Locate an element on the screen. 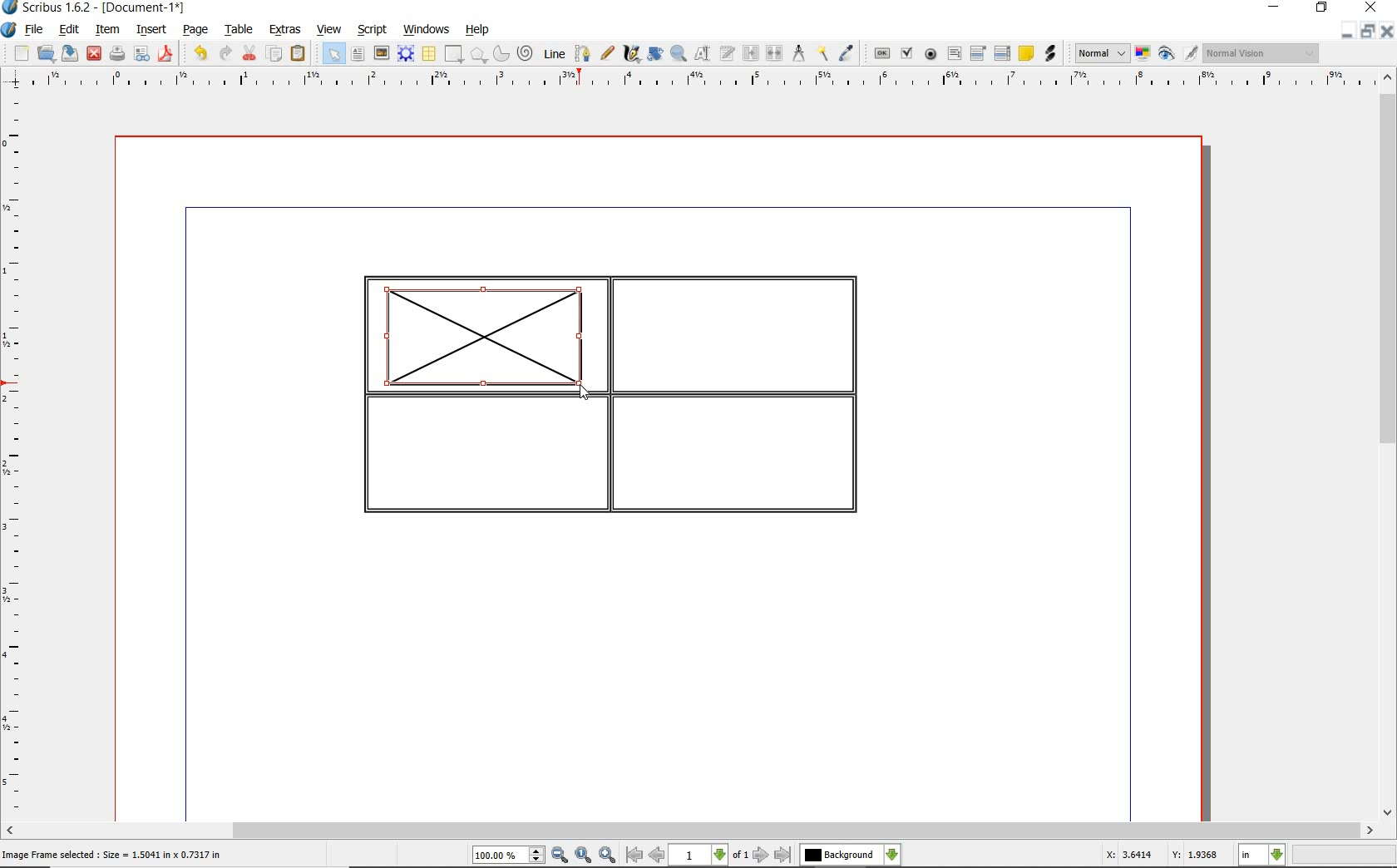 Image resolution: width=1397 pixels, height=868 pixels. redo is located at coordinates (225, 52).